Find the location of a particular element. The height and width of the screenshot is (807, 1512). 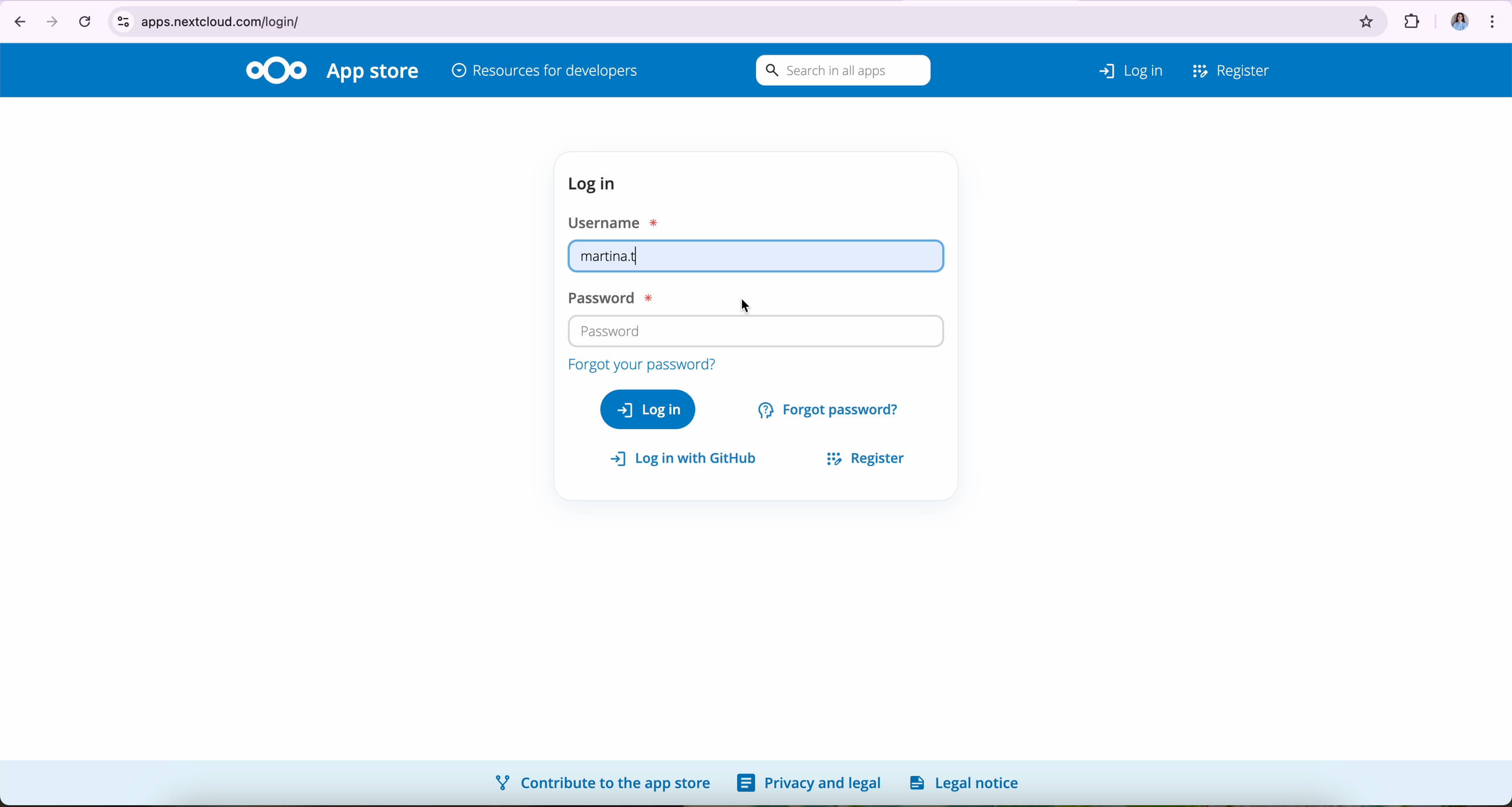

martina.t is located at coordinates (757, 256).